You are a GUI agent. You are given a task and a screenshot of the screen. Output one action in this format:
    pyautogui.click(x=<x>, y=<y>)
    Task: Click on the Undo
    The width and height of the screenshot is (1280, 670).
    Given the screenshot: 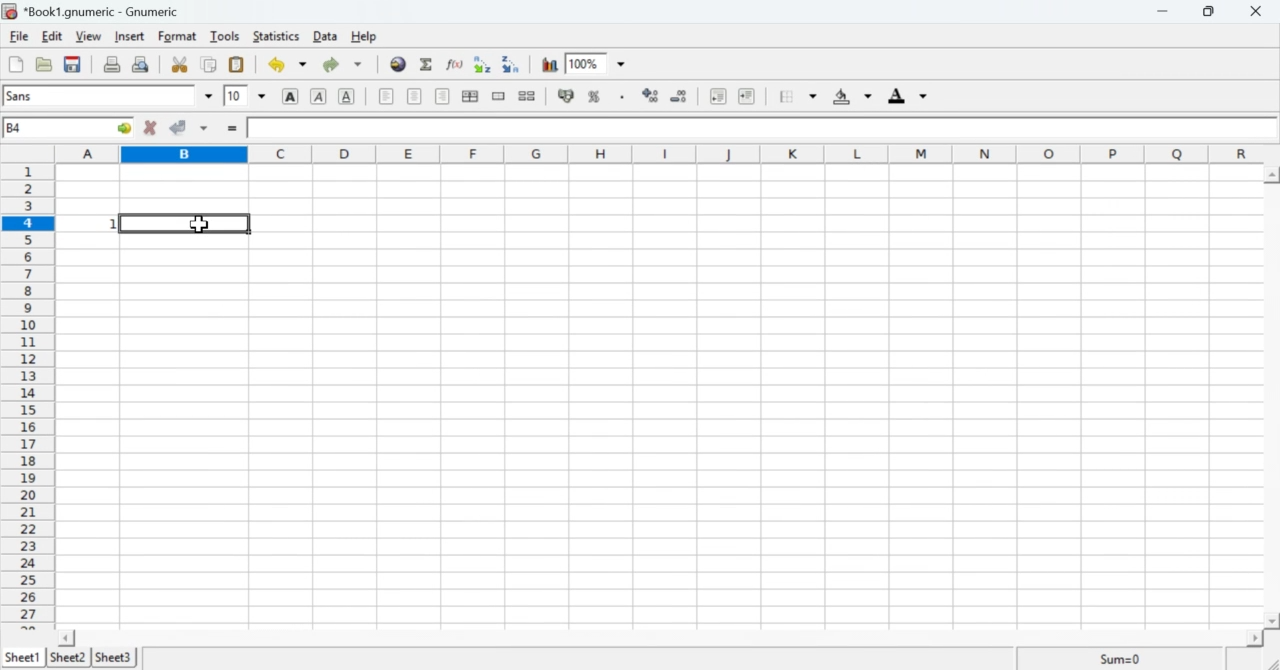 What is the action you would take?
    pyautogui.click(x=289, y=64)
    